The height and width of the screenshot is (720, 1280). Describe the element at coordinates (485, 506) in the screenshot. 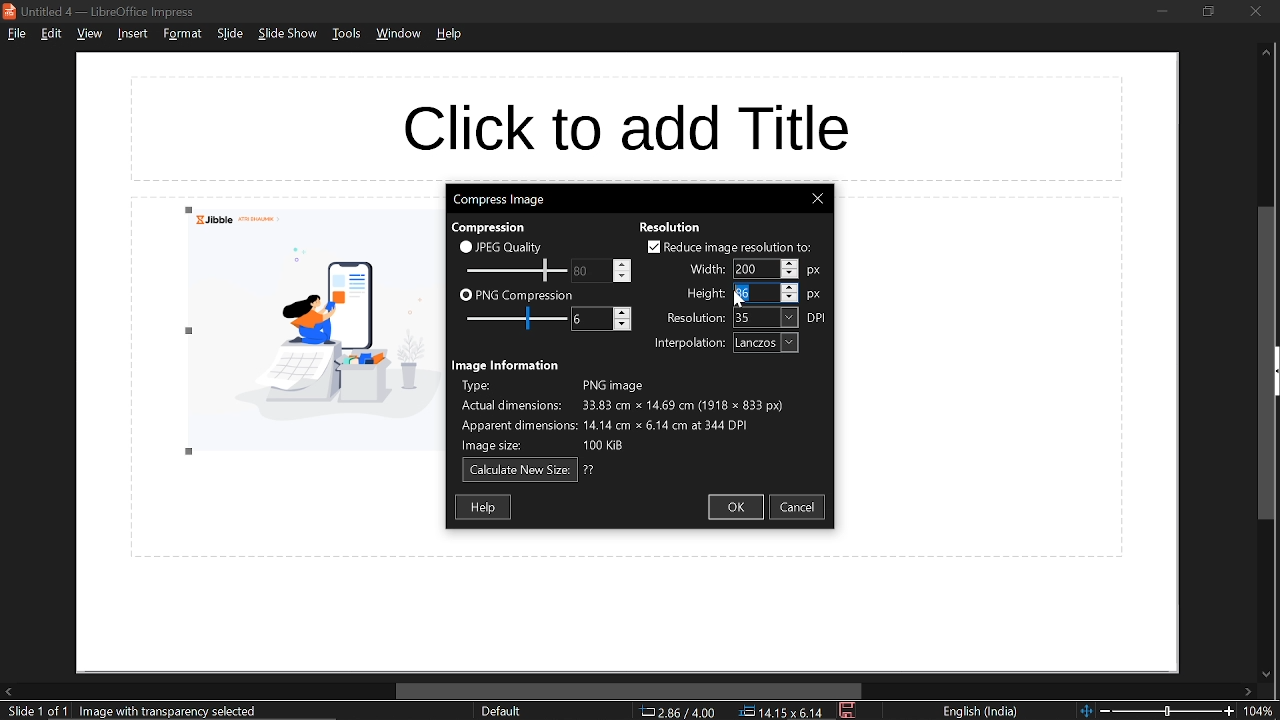

I see `help` at that location.